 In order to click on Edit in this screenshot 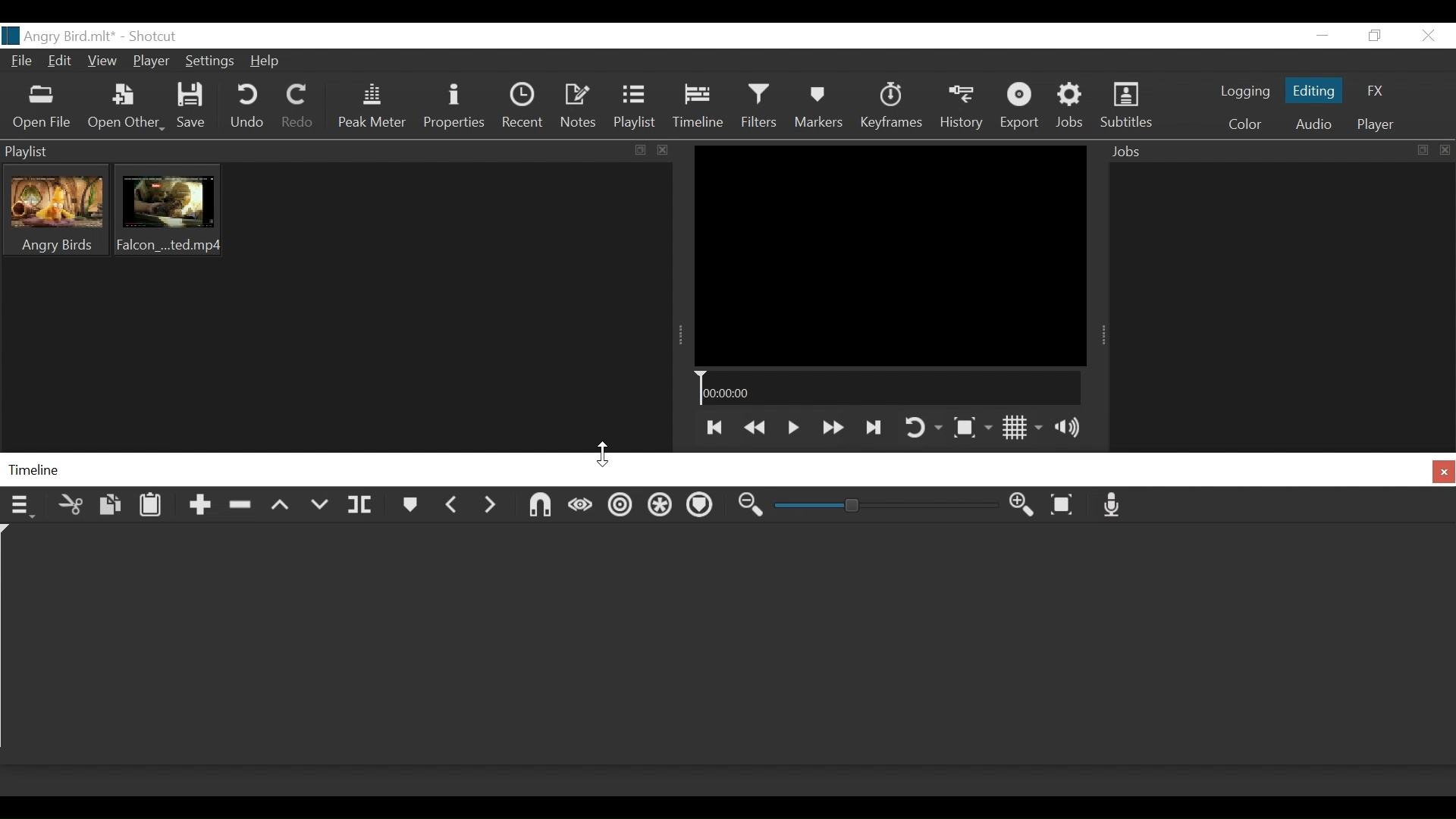, I will do `click(61, 61)`.